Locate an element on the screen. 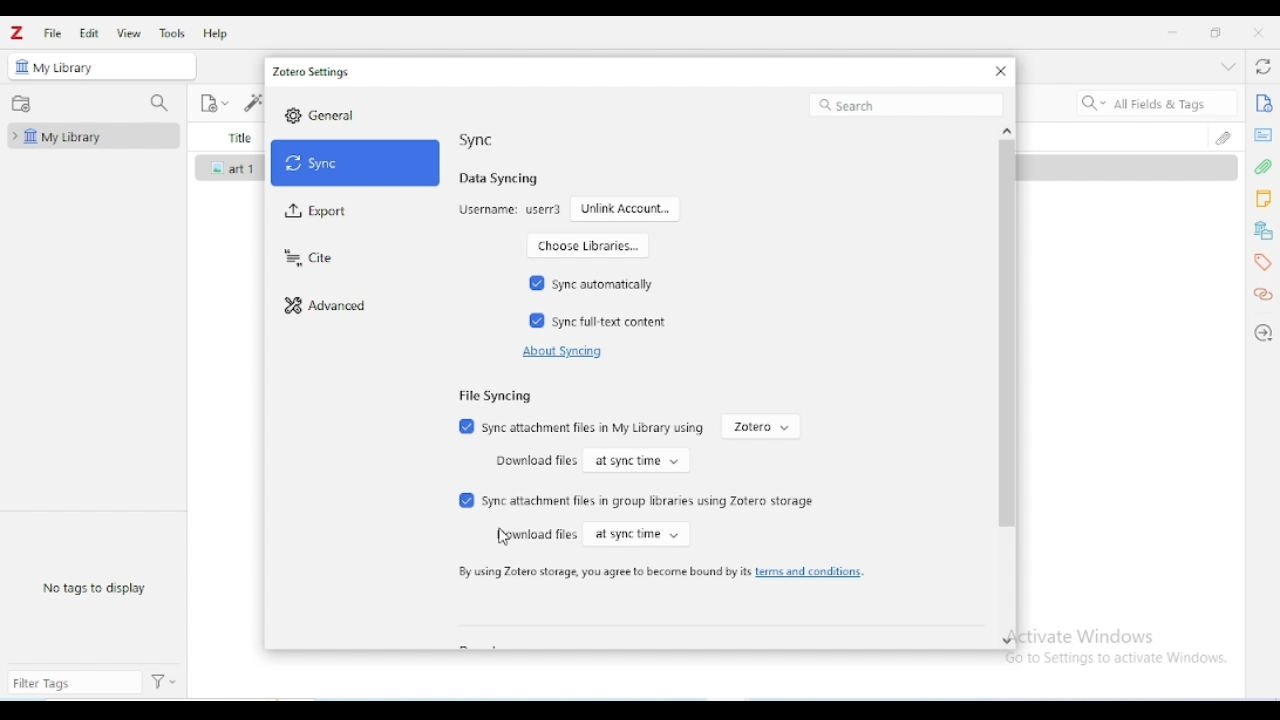  sync automatically is located at coordinates (602, 284).